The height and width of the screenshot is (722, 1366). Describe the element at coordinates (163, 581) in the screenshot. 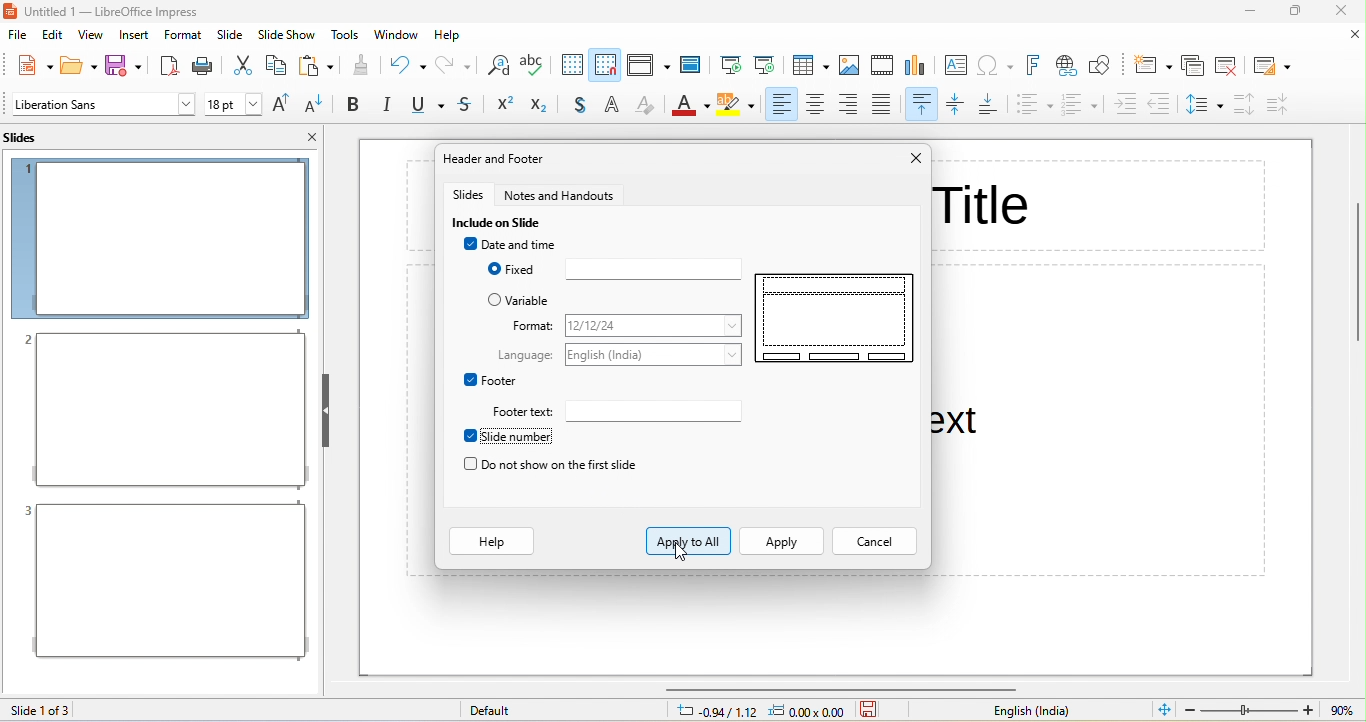

I see `slide 3` at that location.